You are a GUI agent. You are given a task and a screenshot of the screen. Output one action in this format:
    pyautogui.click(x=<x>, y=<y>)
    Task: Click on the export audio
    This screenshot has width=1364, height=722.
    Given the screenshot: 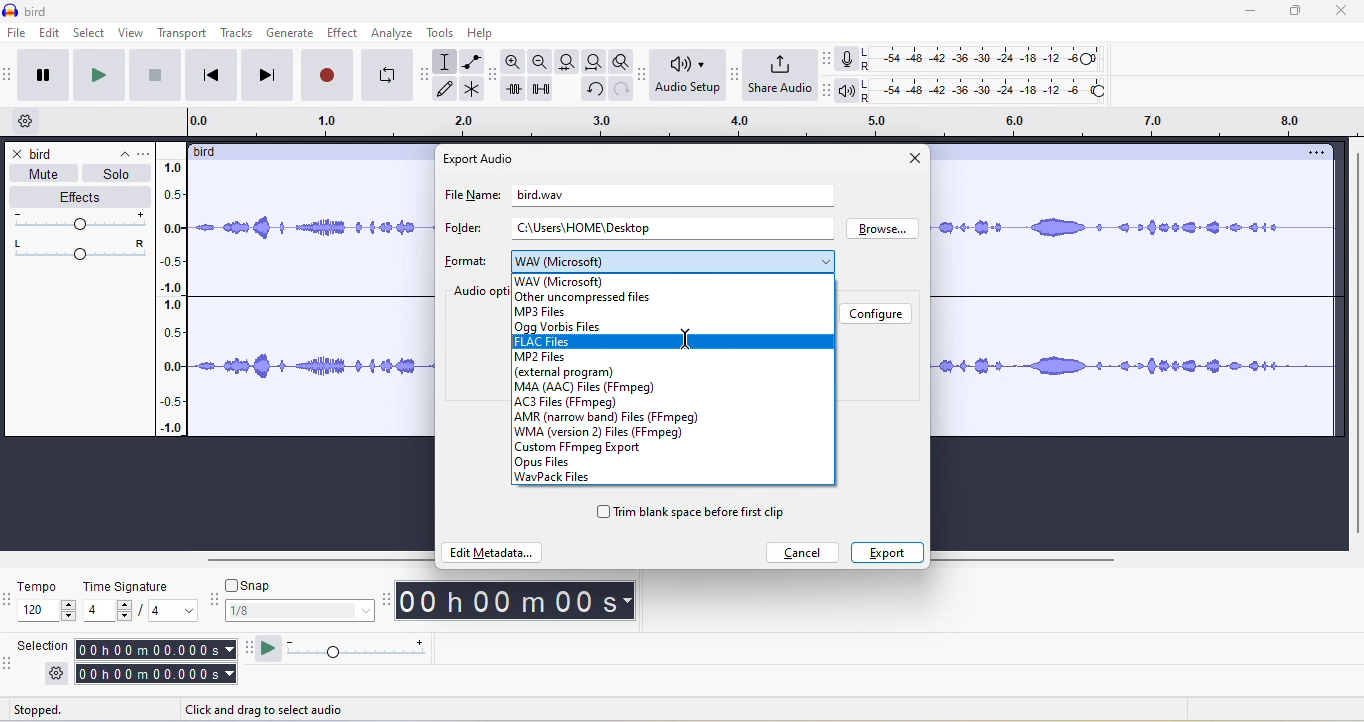 What is the action you would take?
    pyautogui.click(x=482, y=159)
    